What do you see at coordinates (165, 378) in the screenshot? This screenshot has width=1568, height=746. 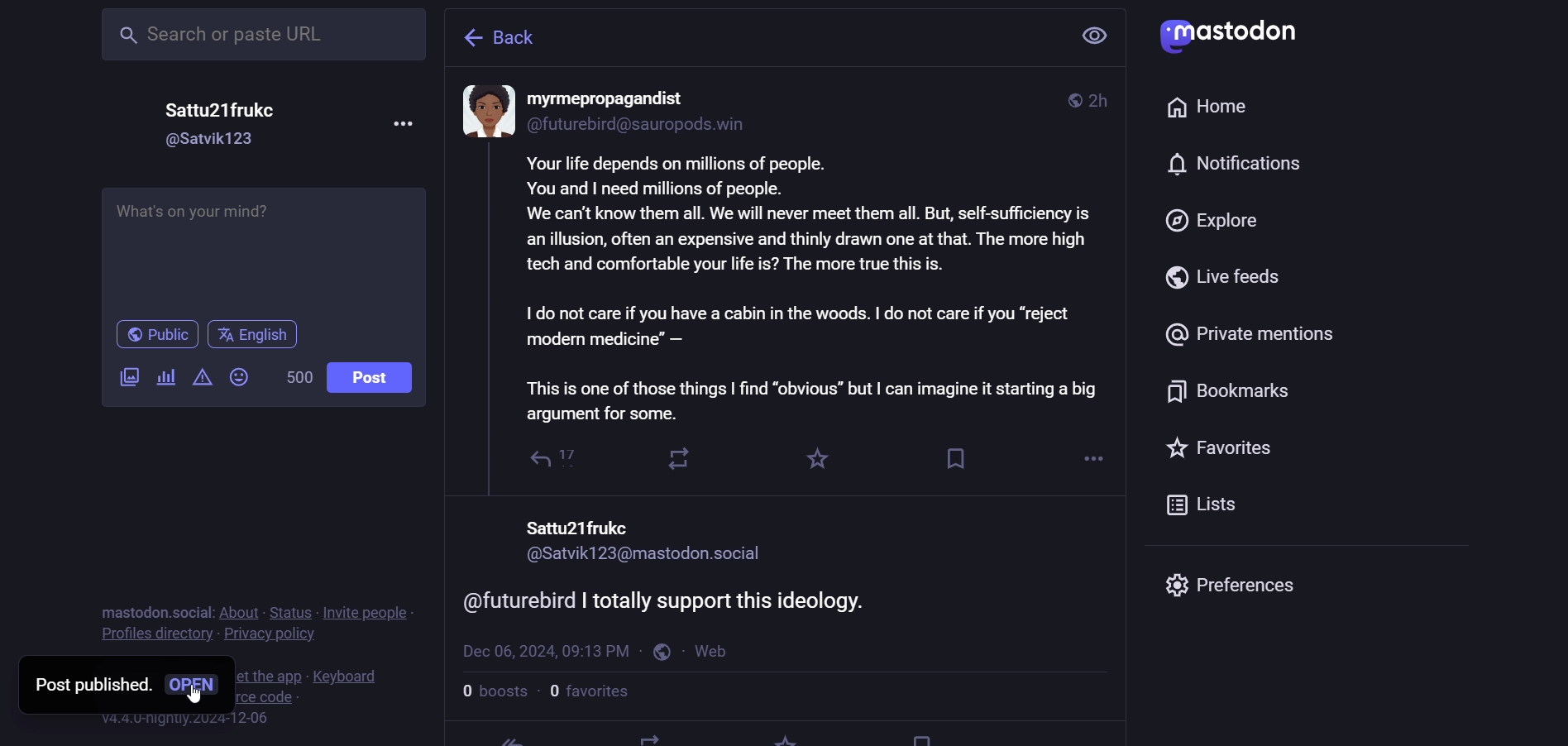 I see `poll` at bounding box center [165, 378].